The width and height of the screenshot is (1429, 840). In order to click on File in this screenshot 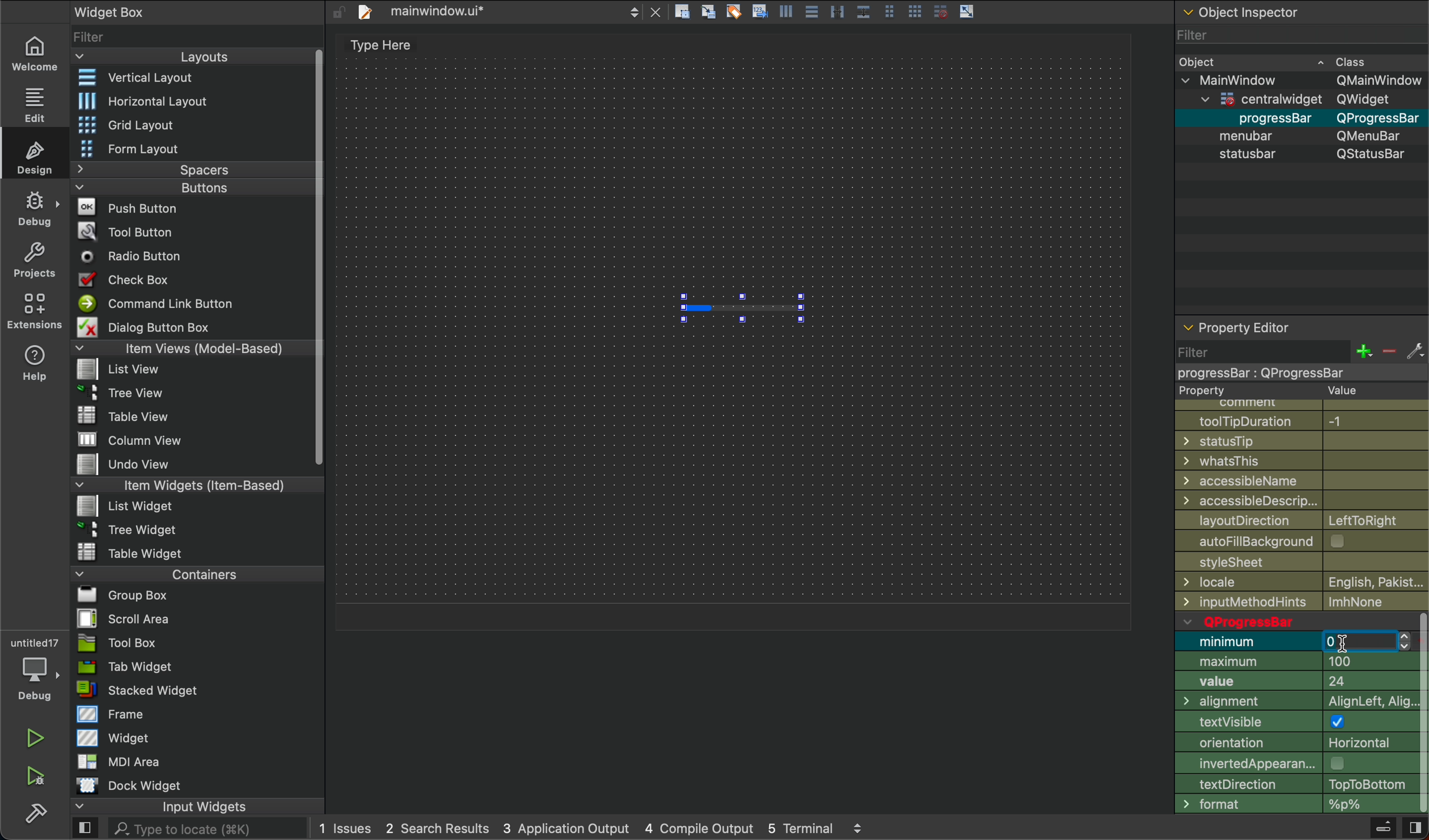, I will do `click(118, 618)`.